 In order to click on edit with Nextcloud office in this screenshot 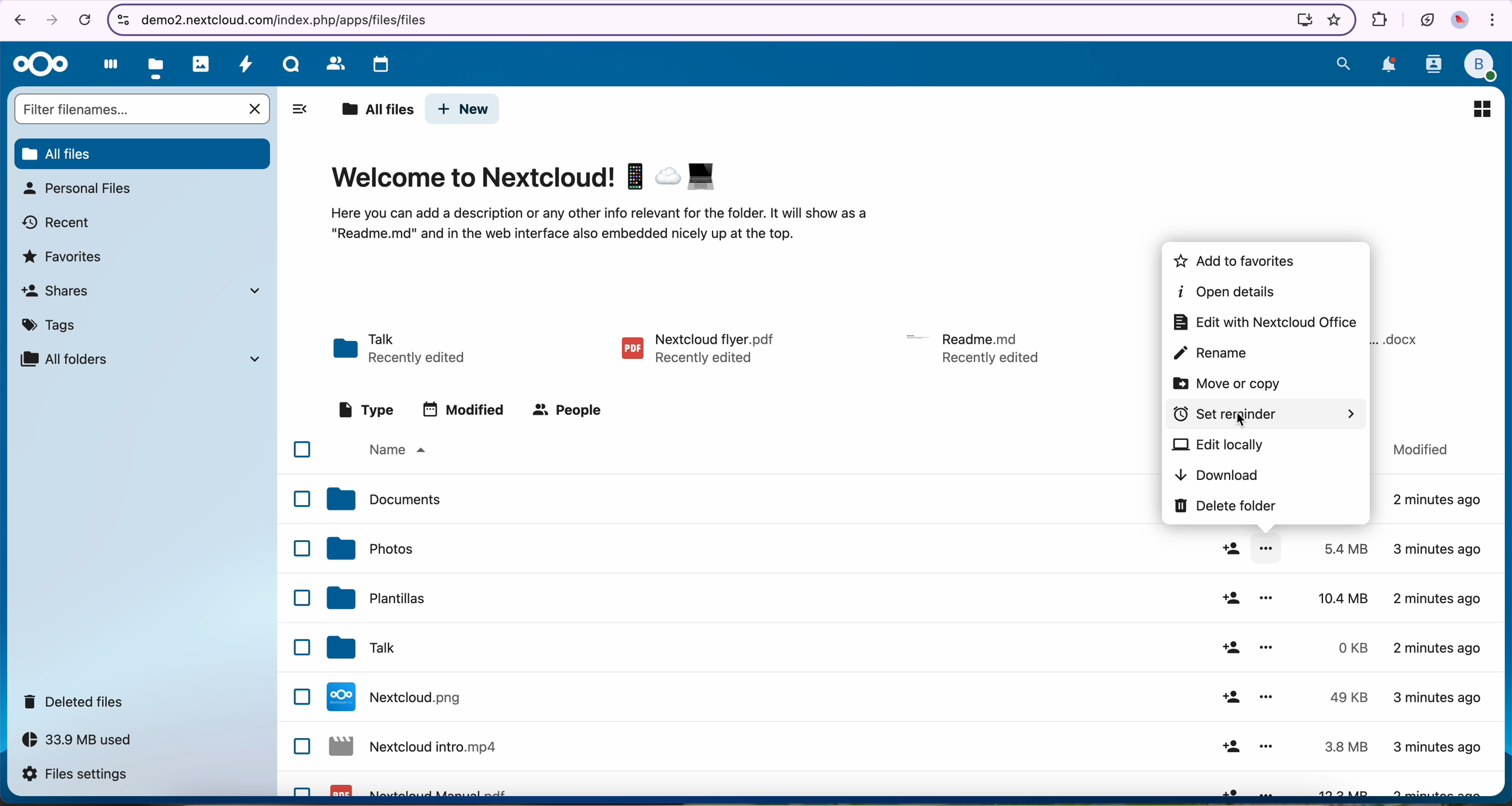, I will do `click(1264, 324)`.